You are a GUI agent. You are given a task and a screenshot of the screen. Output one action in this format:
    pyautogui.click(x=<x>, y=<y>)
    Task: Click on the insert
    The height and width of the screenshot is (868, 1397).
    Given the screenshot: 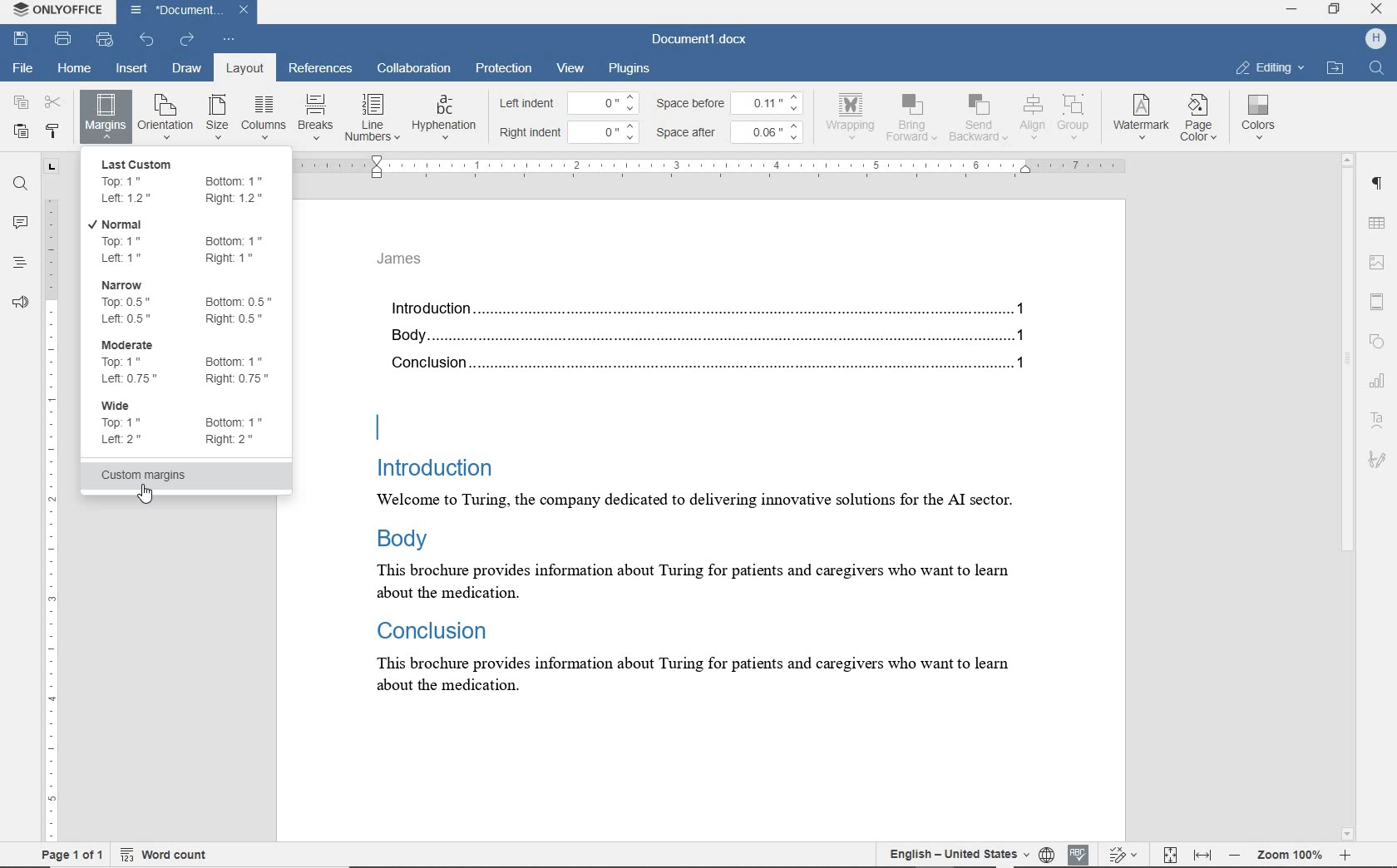 What is the action you would take?
    pyautogui.click(x=134, y=69)
    